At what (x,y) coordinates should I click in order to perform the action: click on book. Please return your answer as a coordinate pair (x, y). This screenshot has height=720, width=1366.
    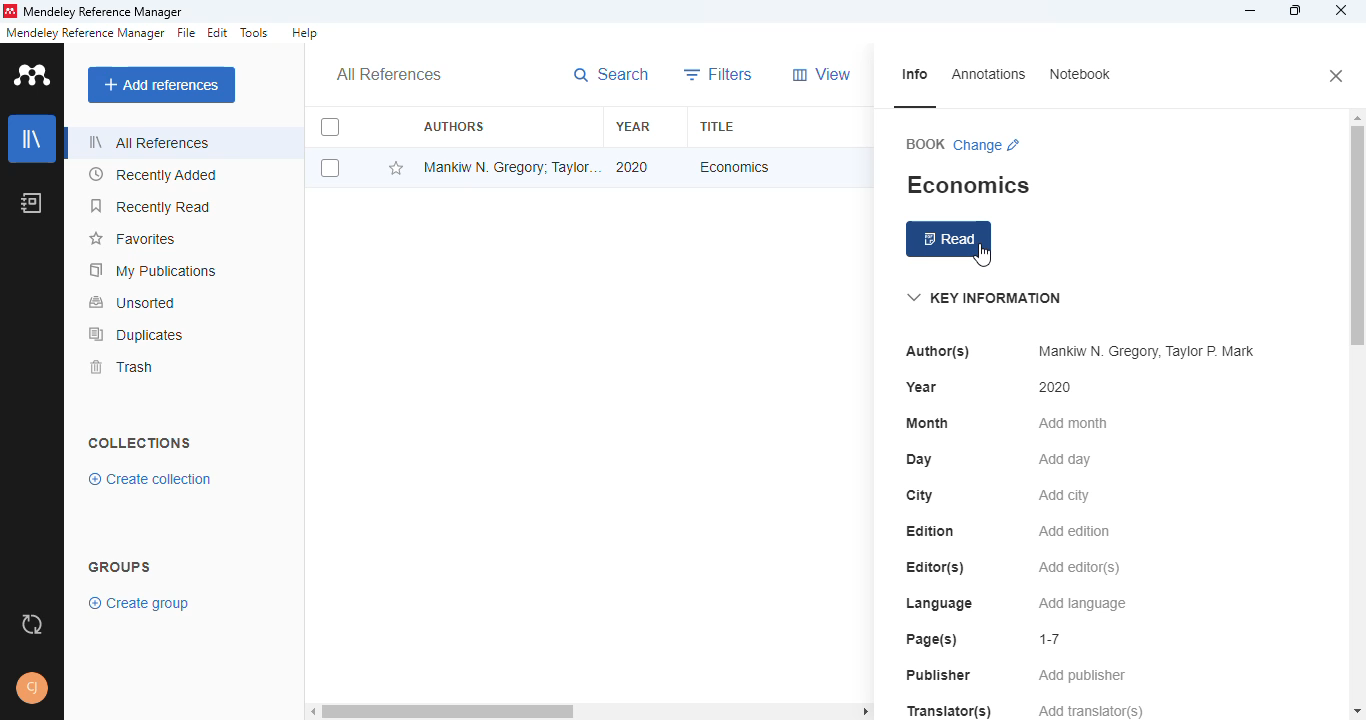
    Looking at the image, I should click on (925, 145).